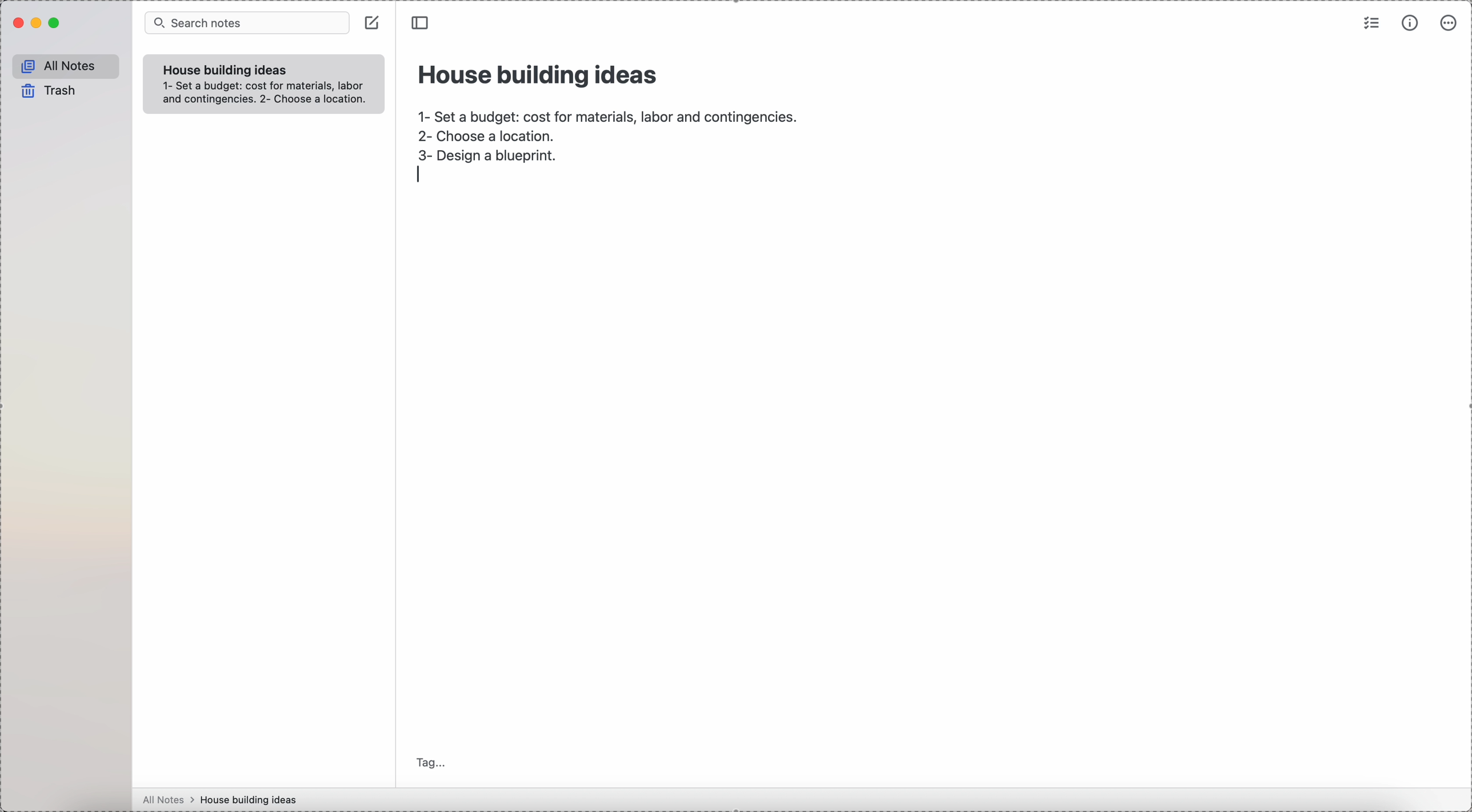  Describe the element at coordinates (422, 23) in the screenshot. I see `toggle sidebar` at that location.